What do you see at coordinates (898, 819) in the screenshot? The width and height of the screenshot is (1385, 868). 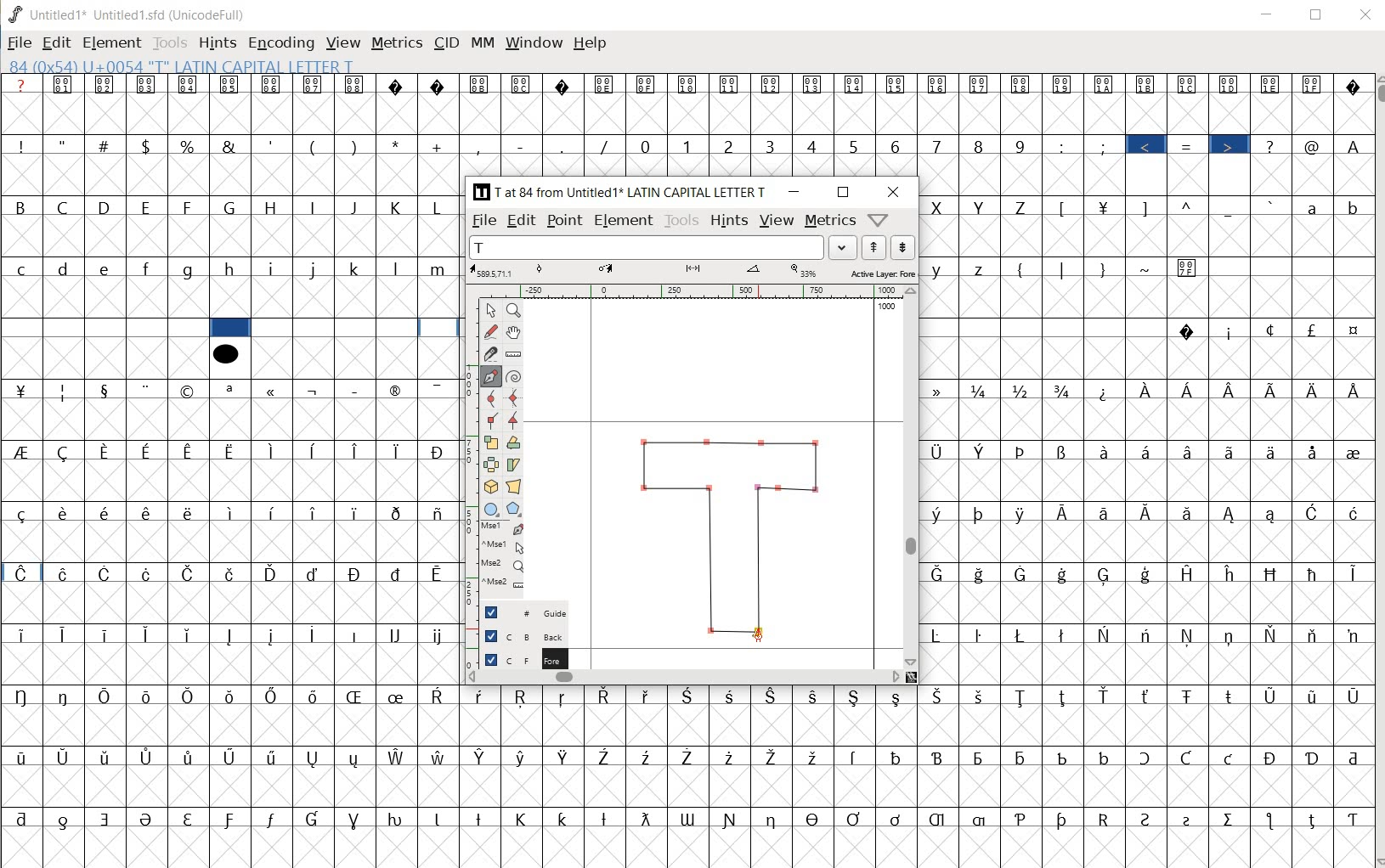 I see `Symbol` at bounding box center [898, 819].